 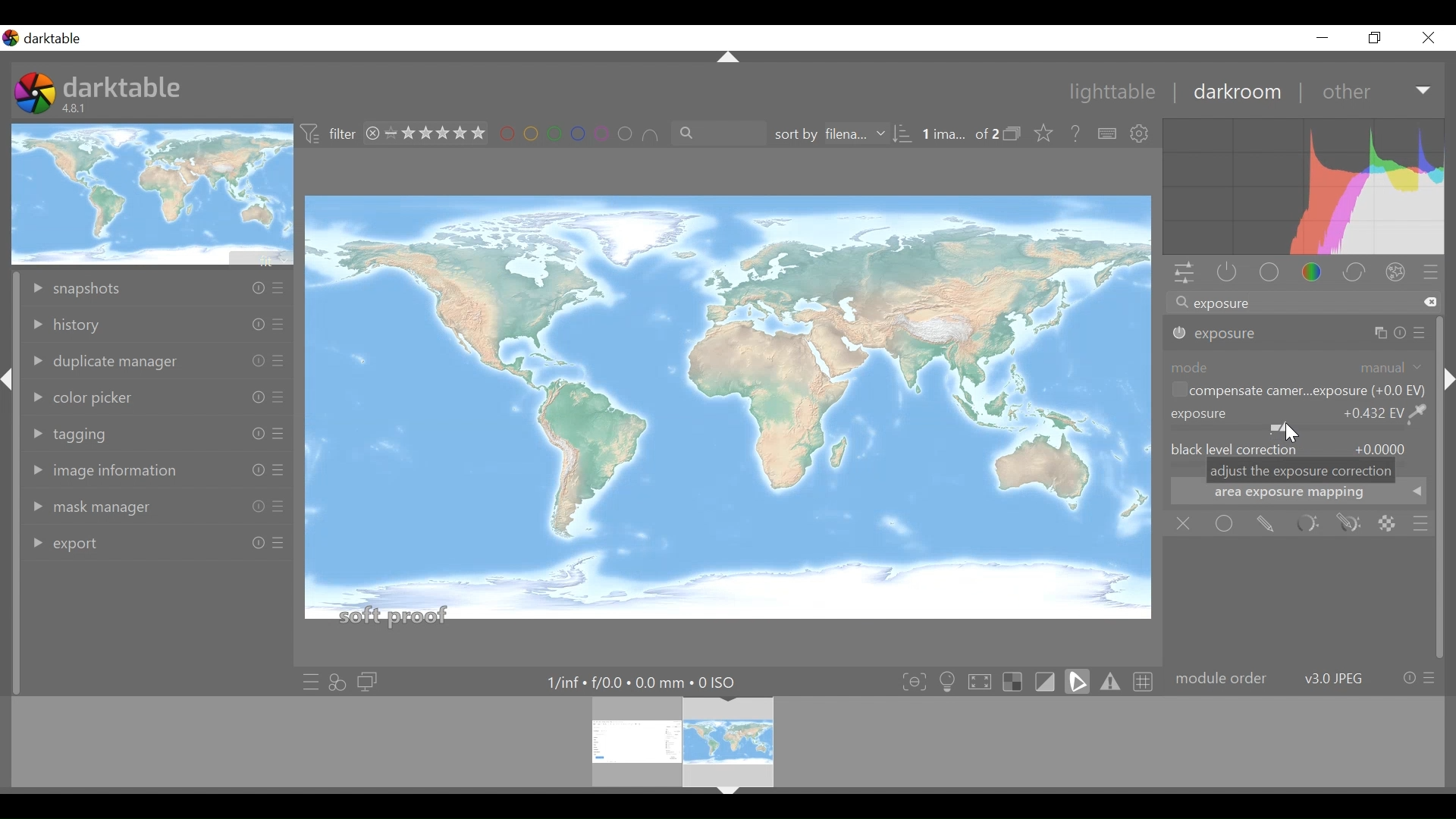 I want to click on , so click(x=255, y=288).